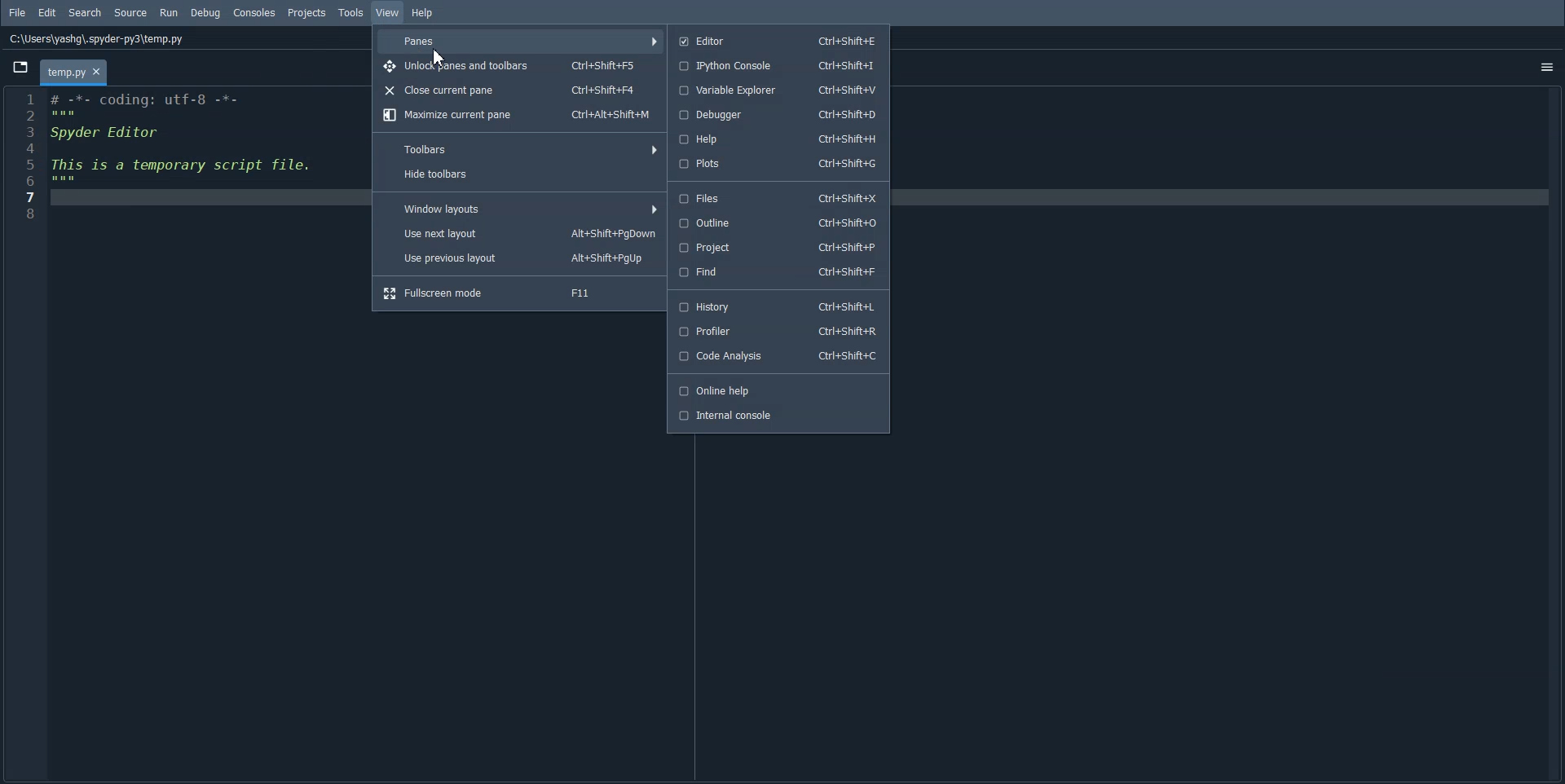 The height and width of the screenshot is (784, 1565). I want to click on Debug, so click(205, 13).